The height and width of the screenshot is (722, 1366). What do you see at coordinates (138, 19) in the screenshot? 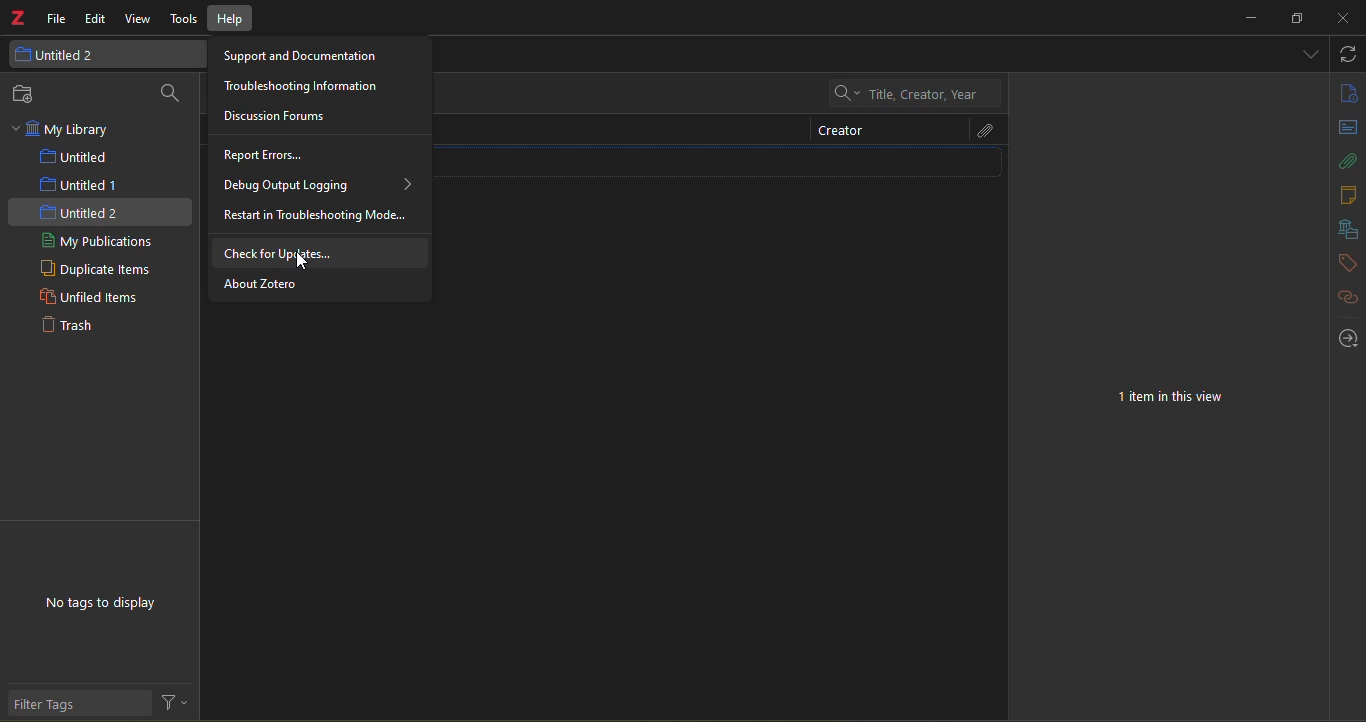
I see `view` at bounding box center [138, 19].